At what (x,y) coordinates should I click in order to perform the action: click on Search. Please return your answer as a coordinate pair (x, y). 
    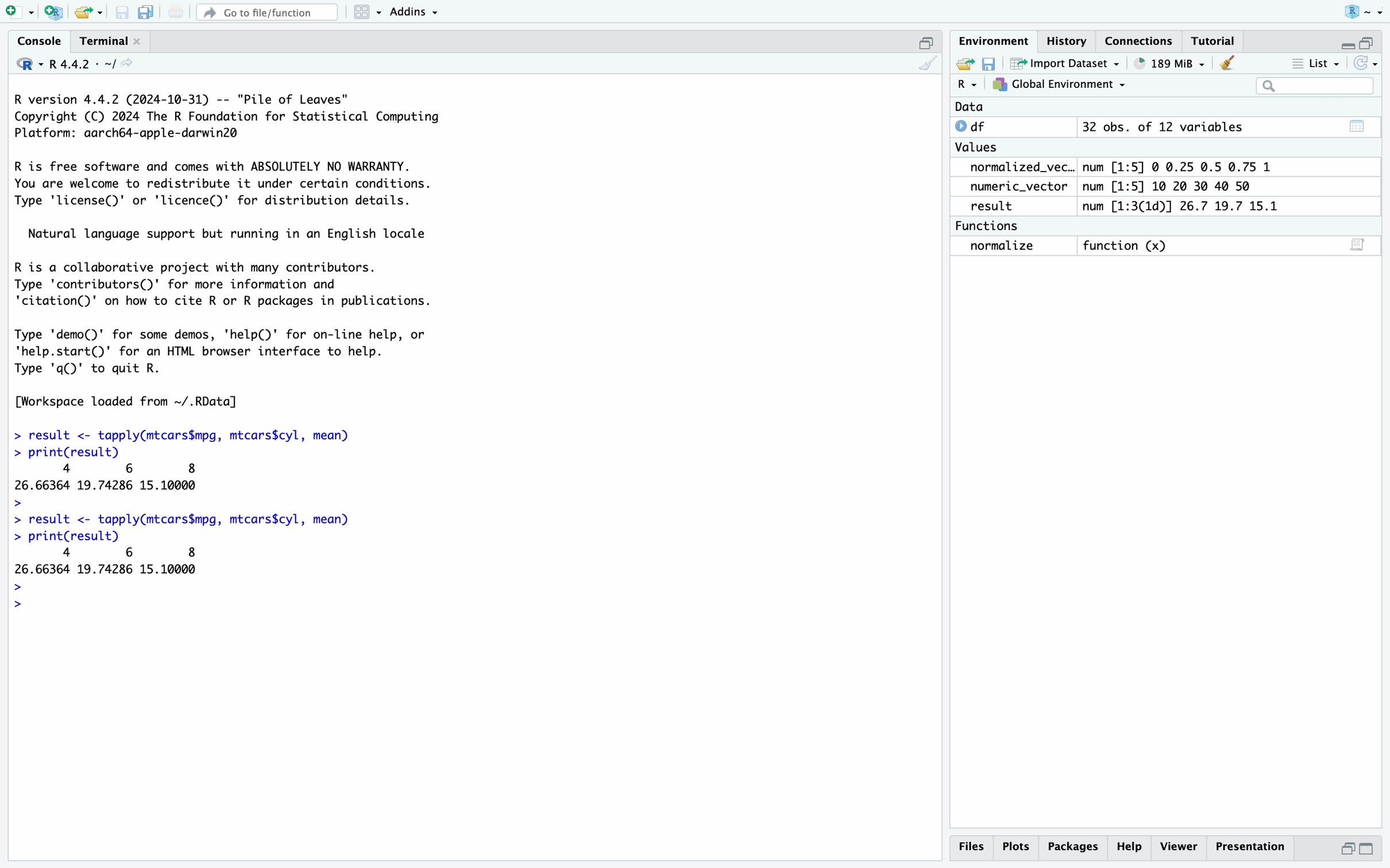
    Looking at the image, I should click on (1314, 86).